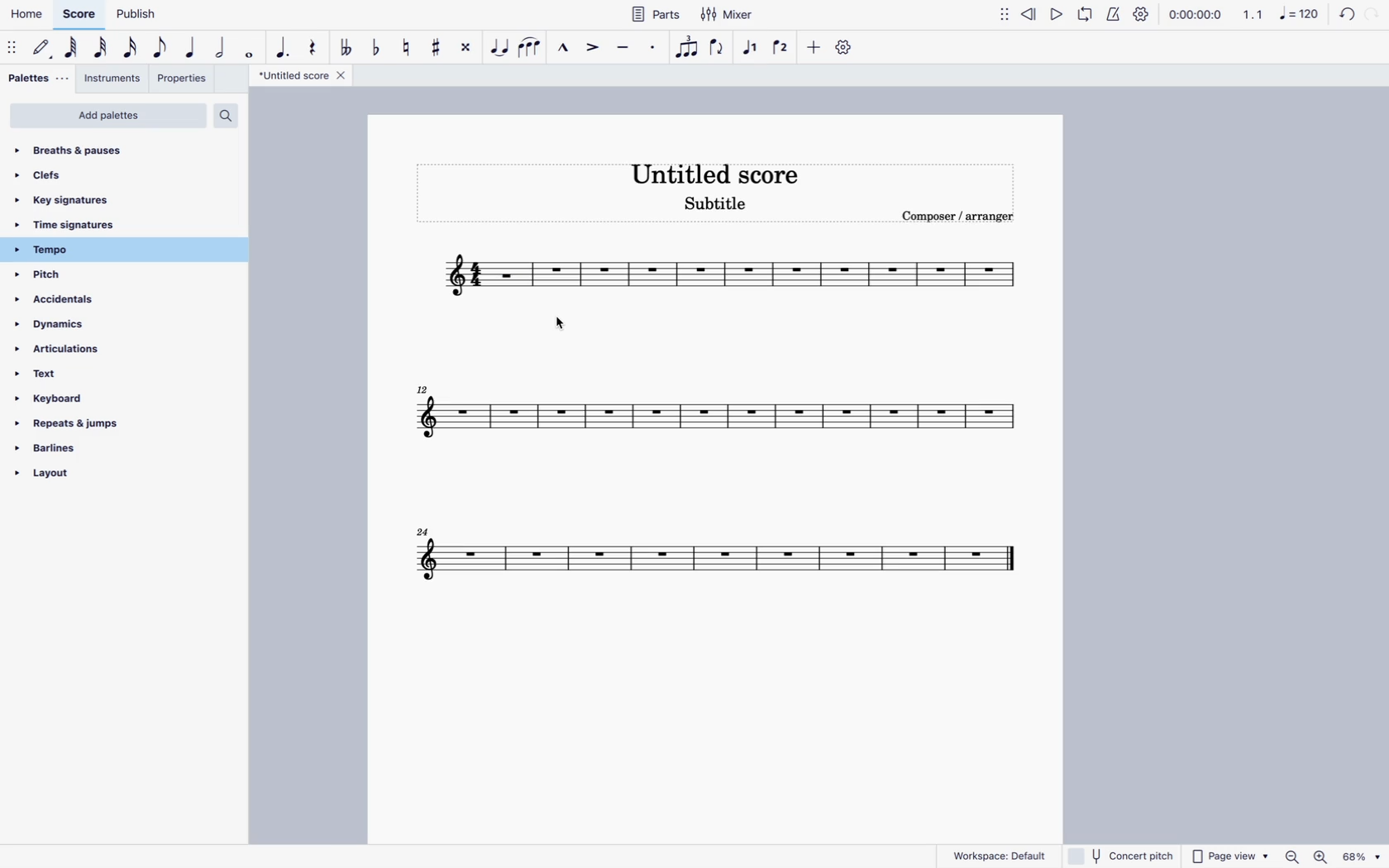 The image size is (1389, 868). Describe the element at coordinates (624, 50) in the screenshot. I see `tenuto` at that location.